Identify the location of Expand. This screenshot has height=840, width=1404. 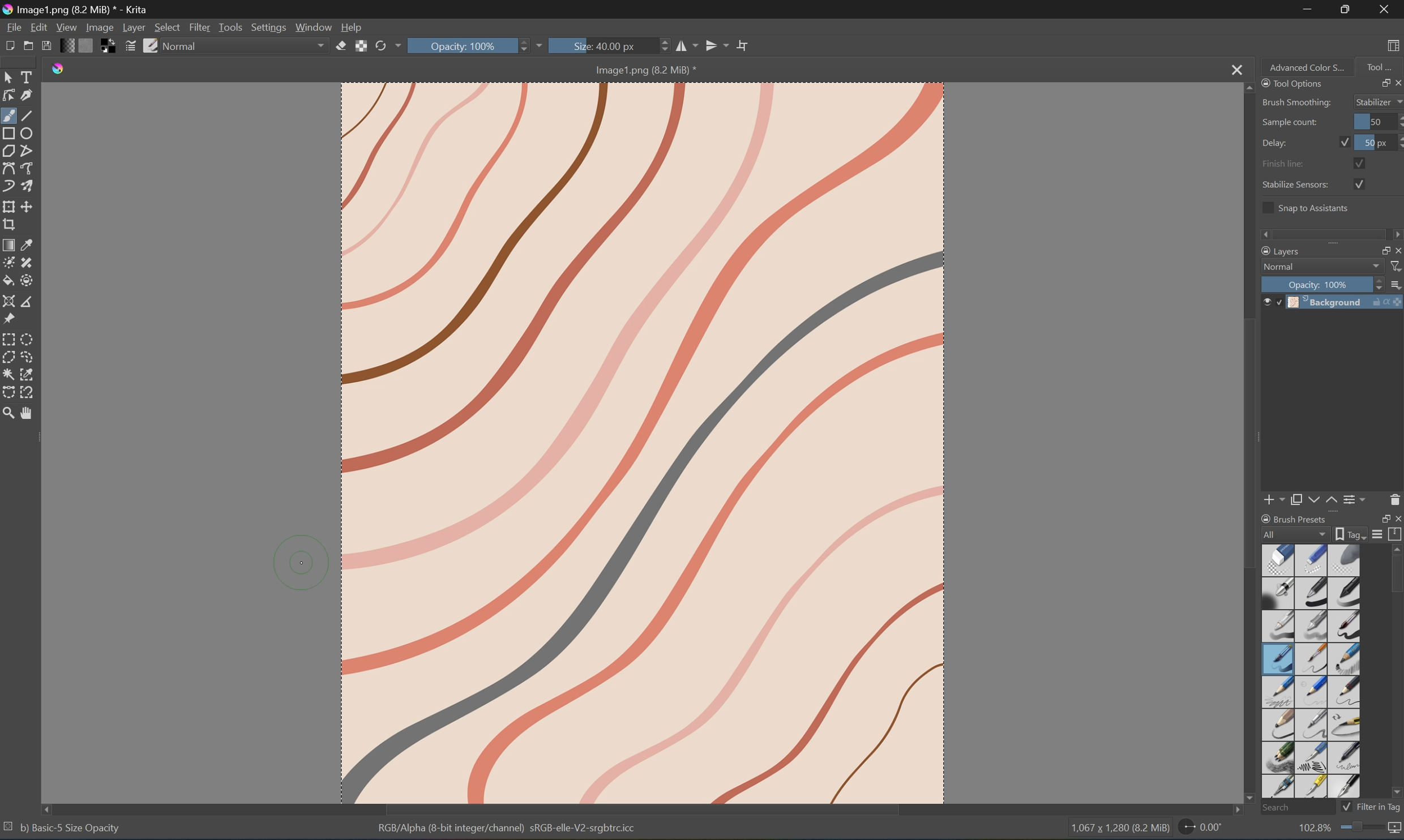
(1337, 246).